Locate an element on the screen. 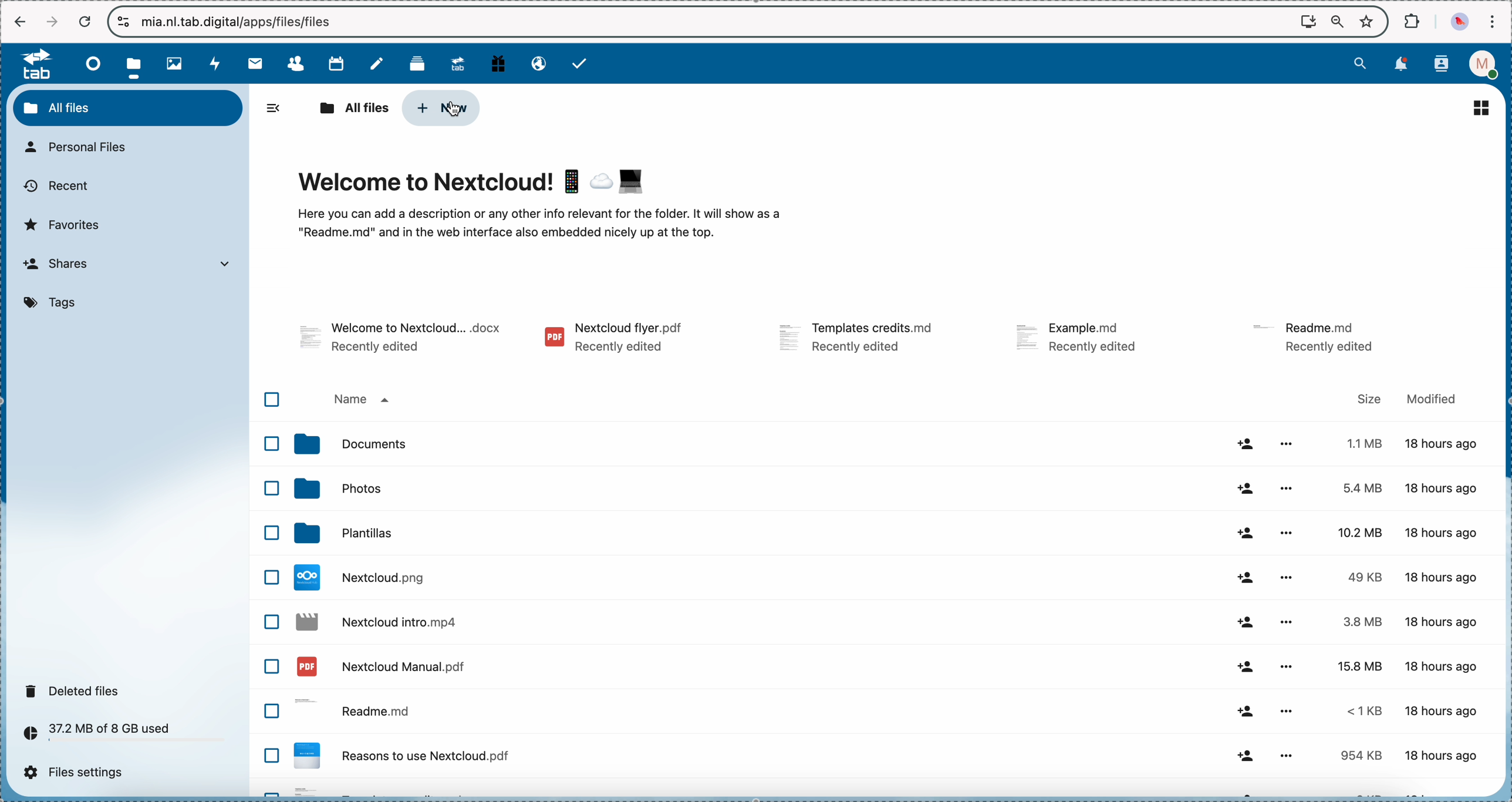  file is located at coordinates (1318, 336).